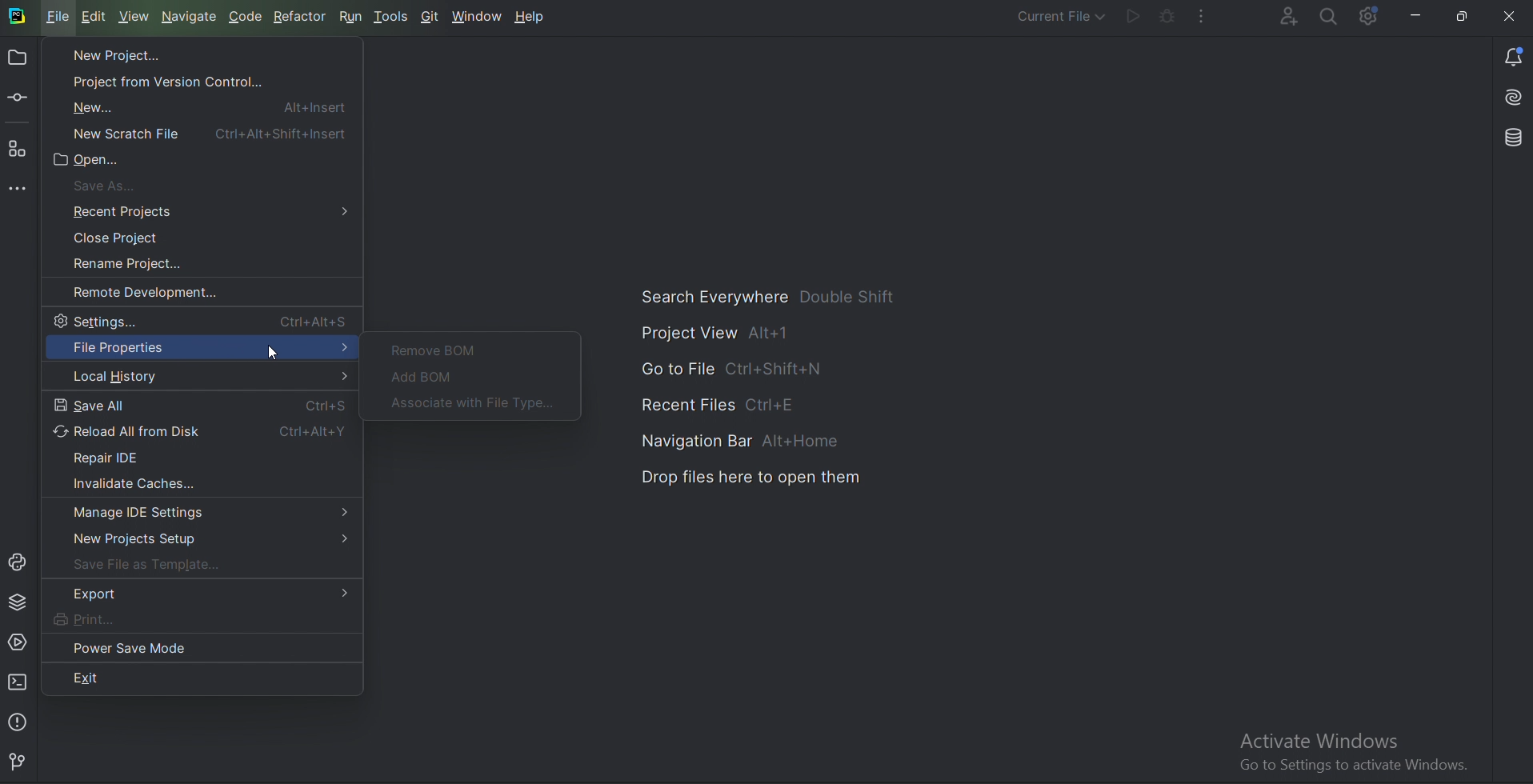 The width and height of the screenshot is (1533, 784). What do you see at coordinates (1134, 16) in the screenshot?
I see `Run` at bounding box center [1134, 16].